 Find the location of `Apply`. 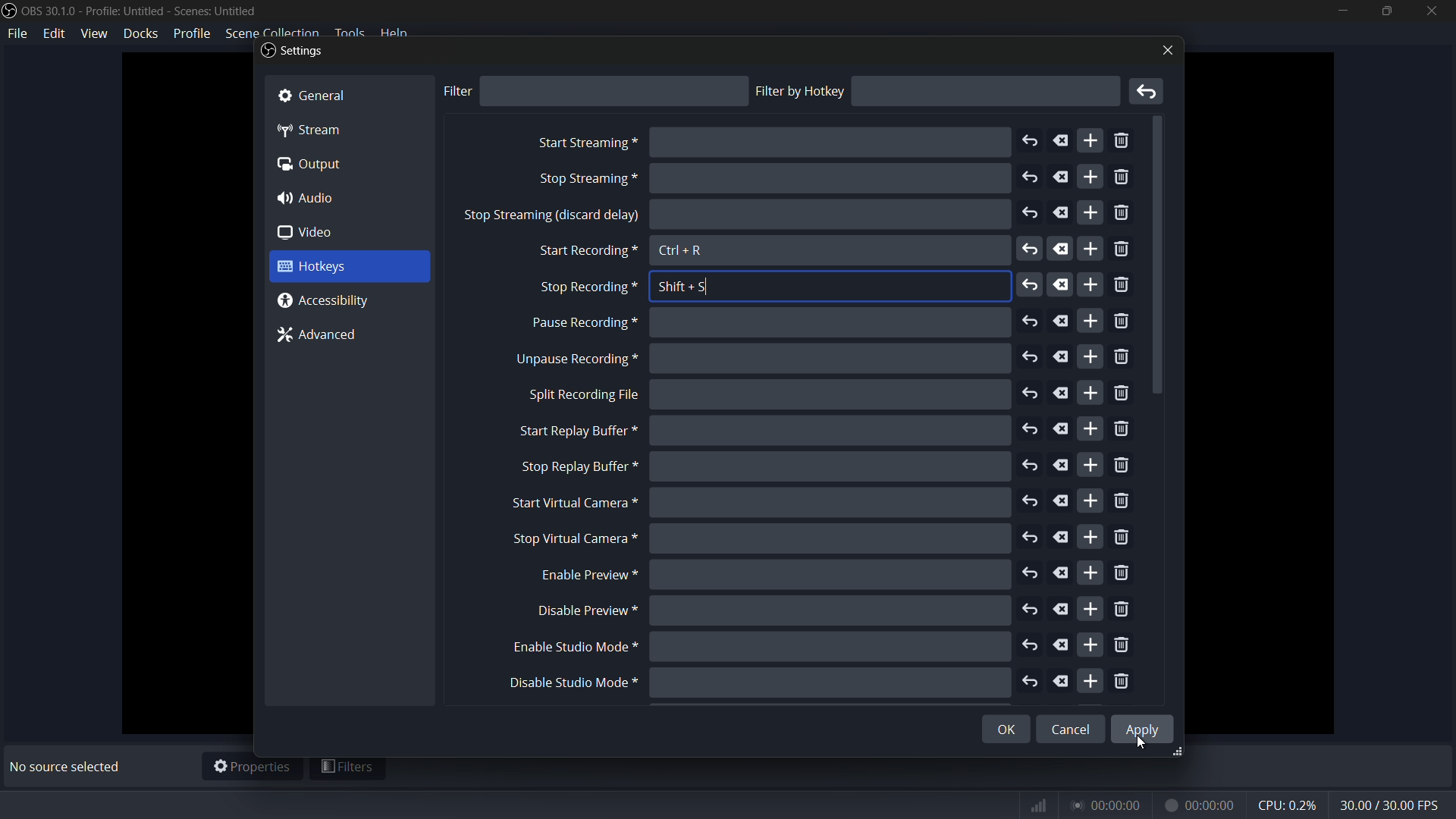

Apply is located at coordinates (1145, 728).